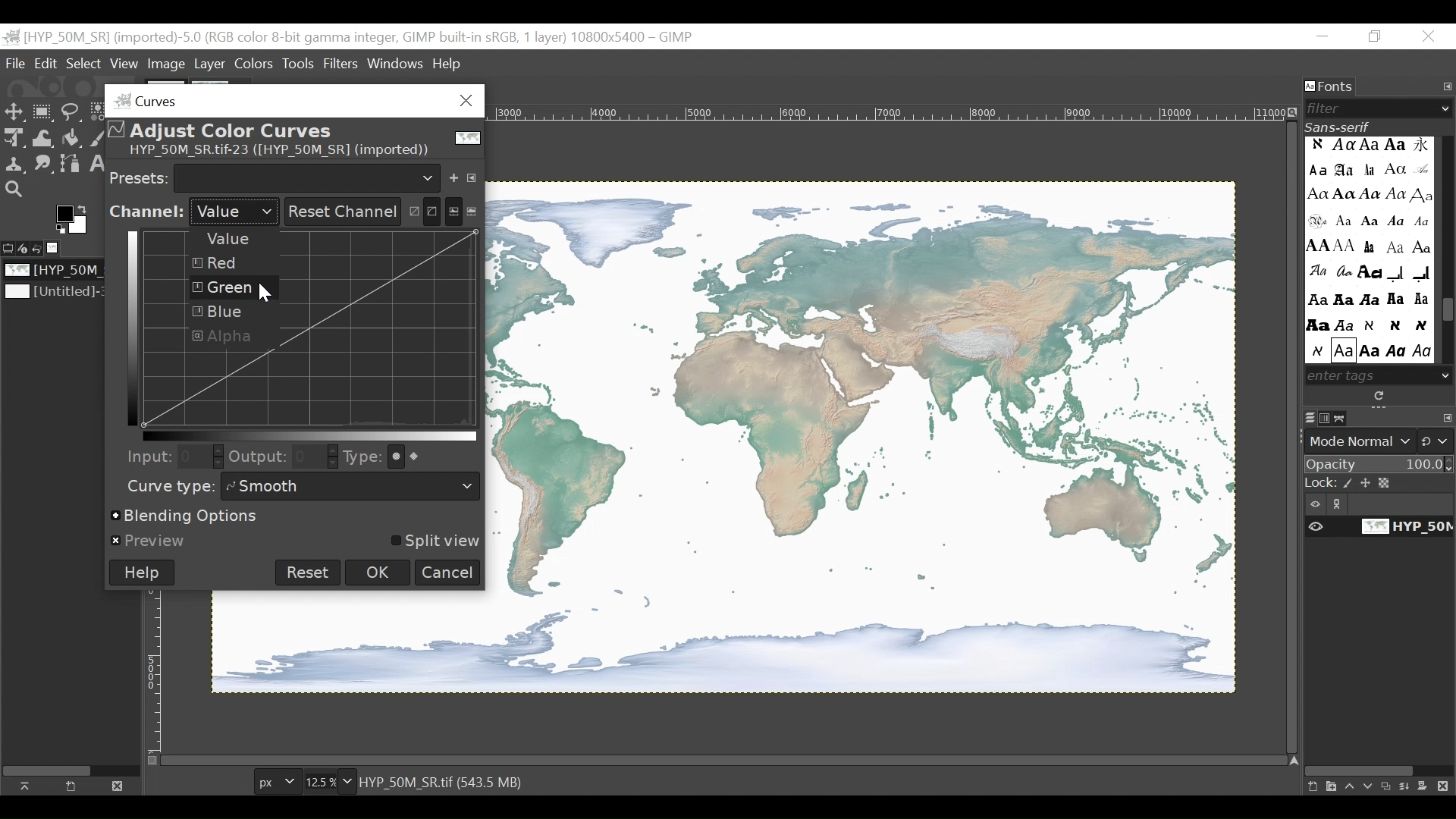 The width and height of the screenshot is (1456, 819). Describe the element at coordinates (25, 247) in the screenshot. I see `Device status` at that location.